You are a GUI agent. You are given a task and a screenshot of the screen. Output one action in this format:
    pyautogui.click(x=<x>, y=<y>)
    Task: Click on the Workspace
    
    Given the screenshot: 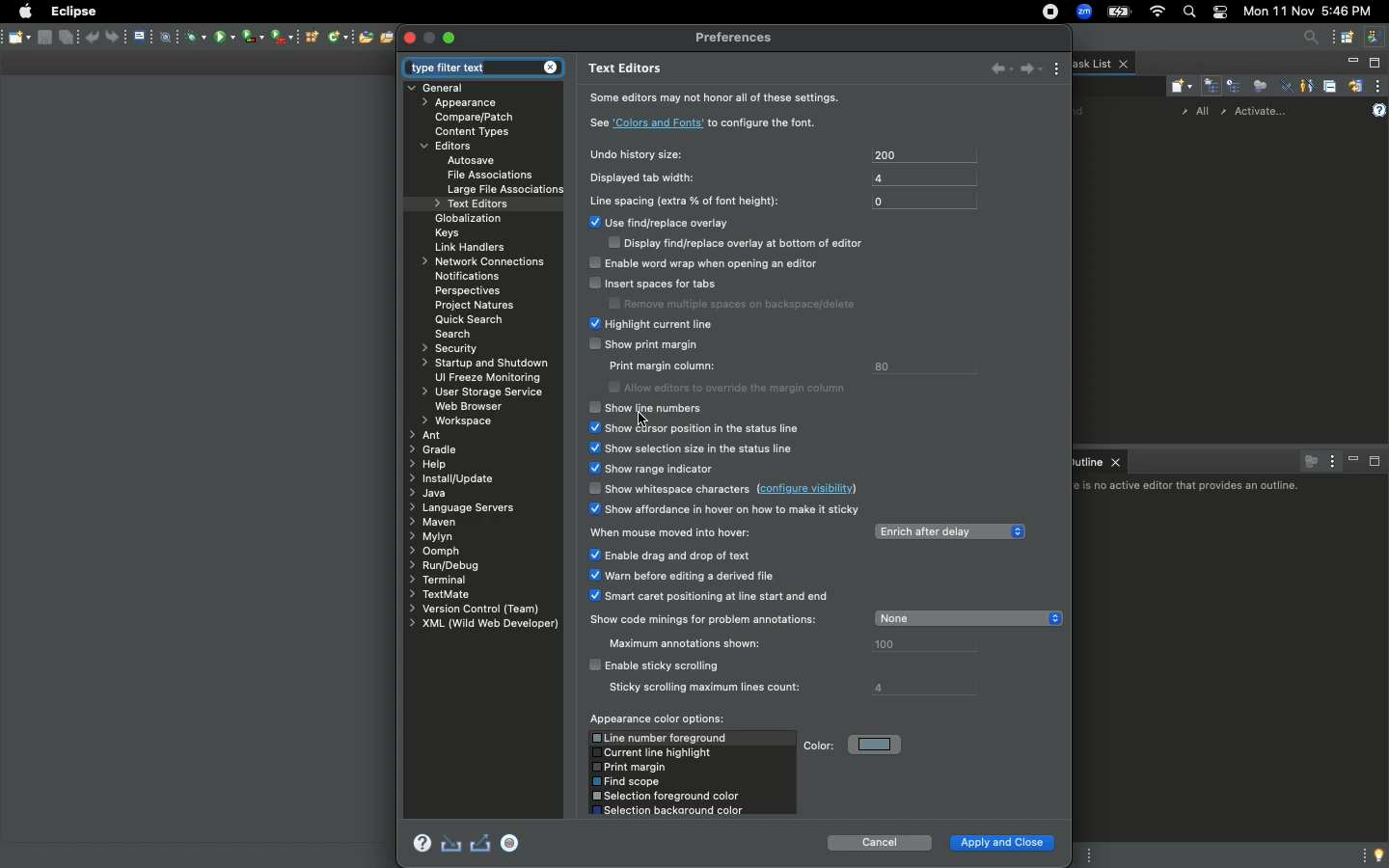 What is the action you would take?
    pyautogui.click(x=455, y=420)
    